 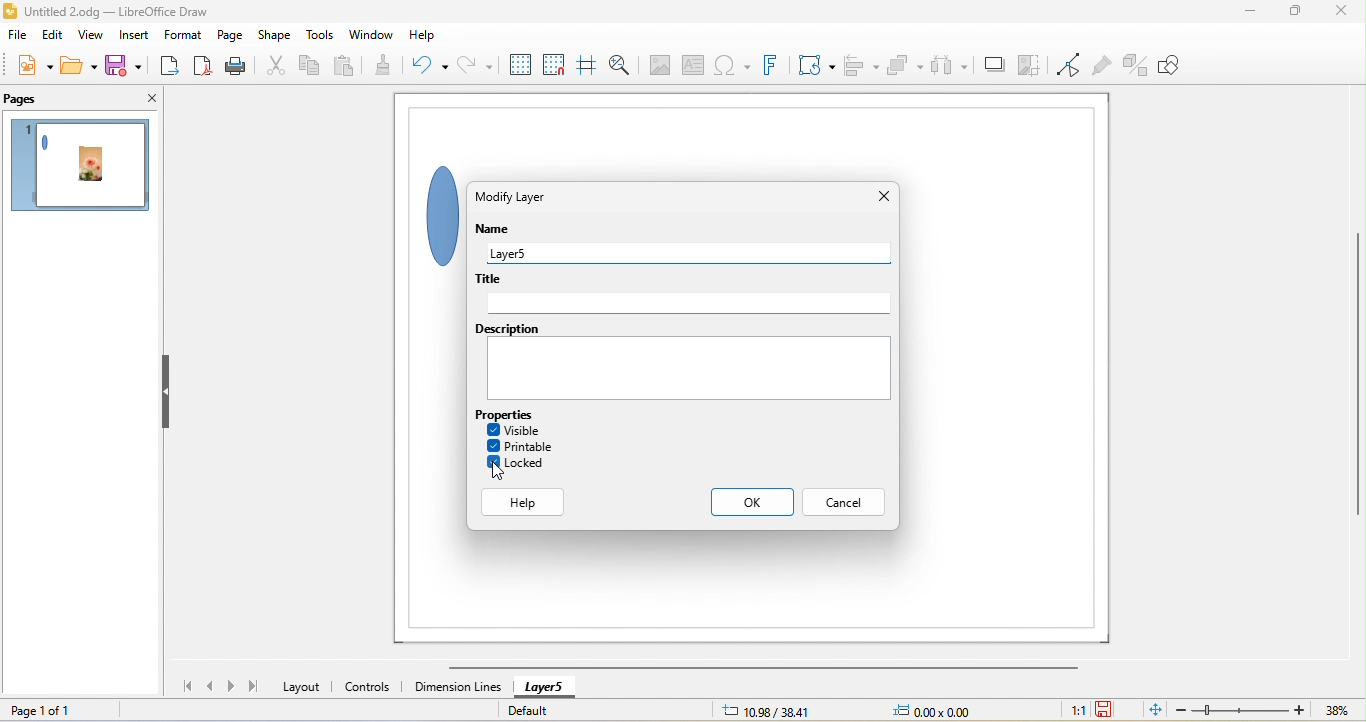 I want to click on shape , so click(x=277, y=35).